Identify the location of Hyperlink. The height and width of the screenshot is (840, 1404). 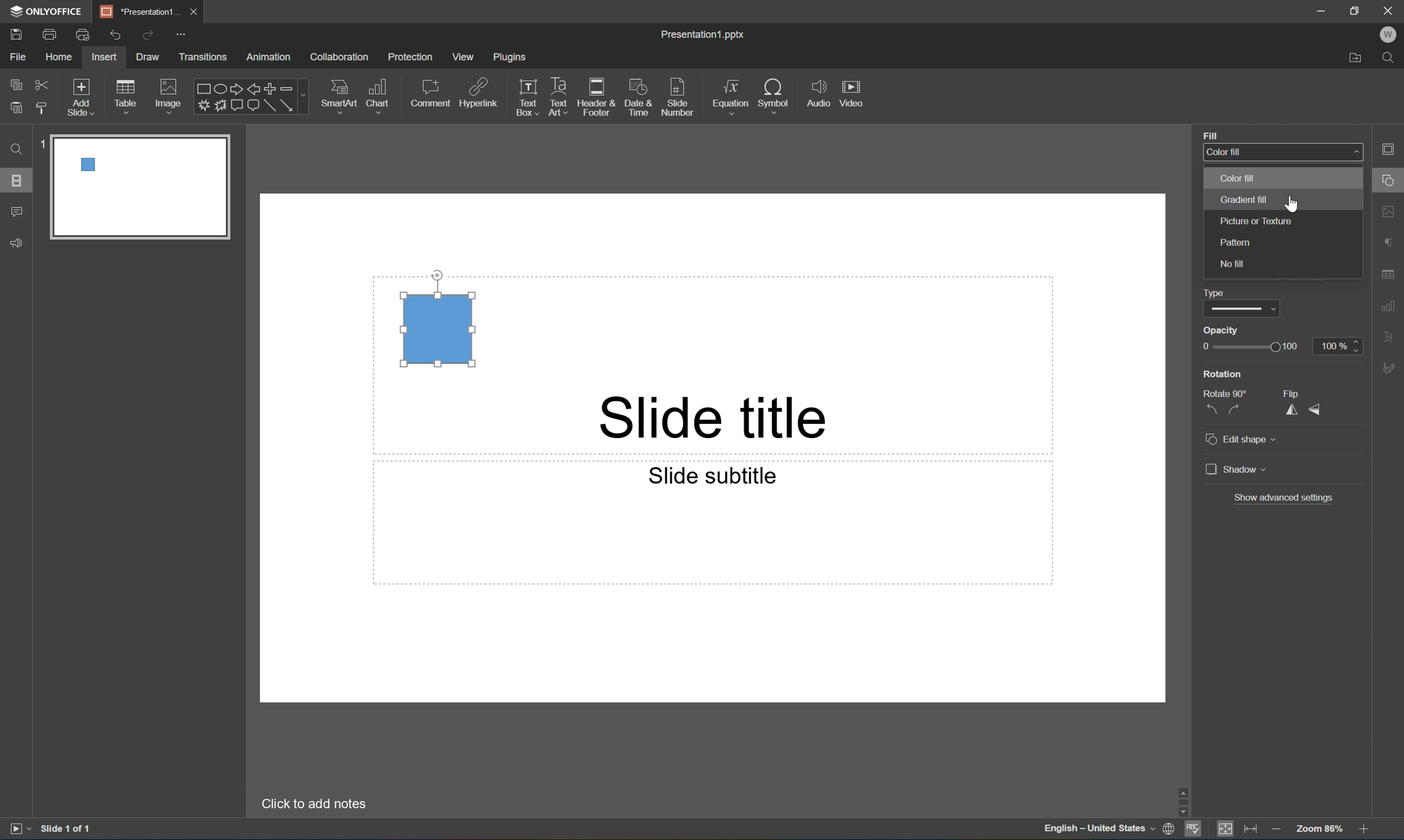
(479, 91).